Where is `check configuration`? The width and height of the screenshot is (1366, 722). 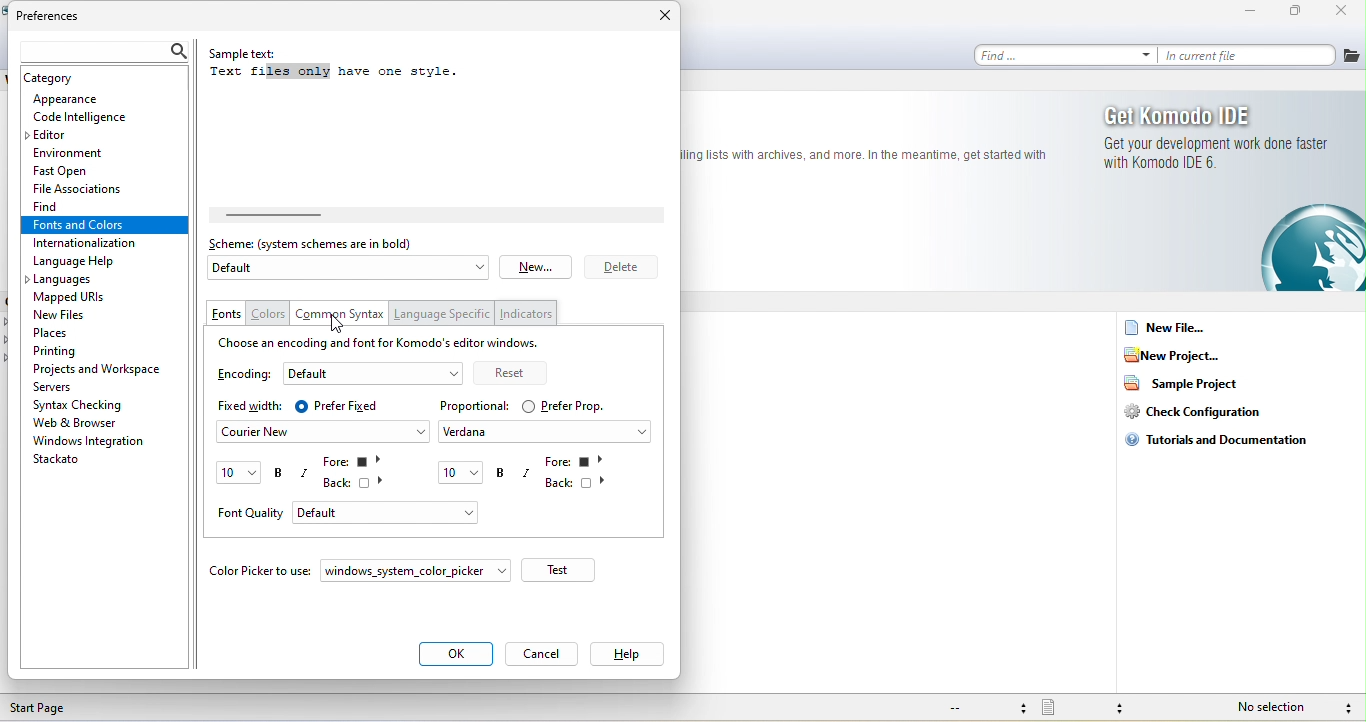
check configuration is located at coordinates (1202, 414).